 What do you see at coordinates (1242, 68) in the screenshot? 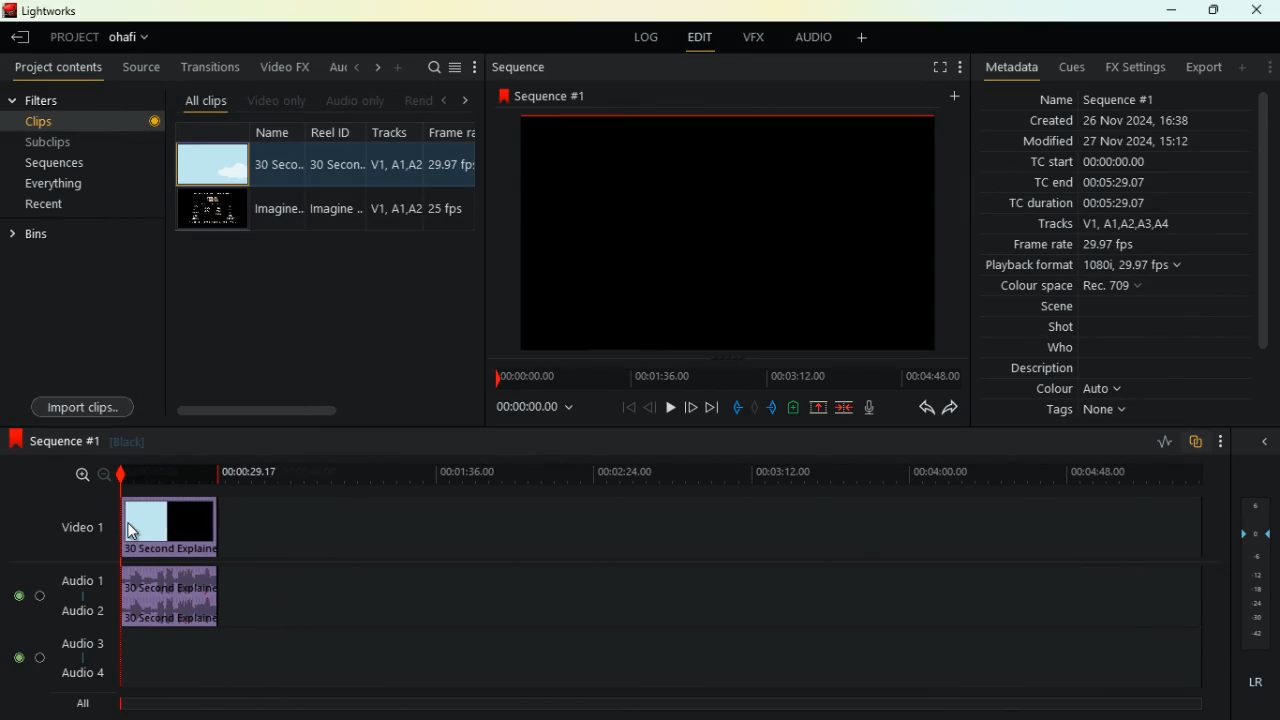
I see `add` at bounding box center [1242, 68].